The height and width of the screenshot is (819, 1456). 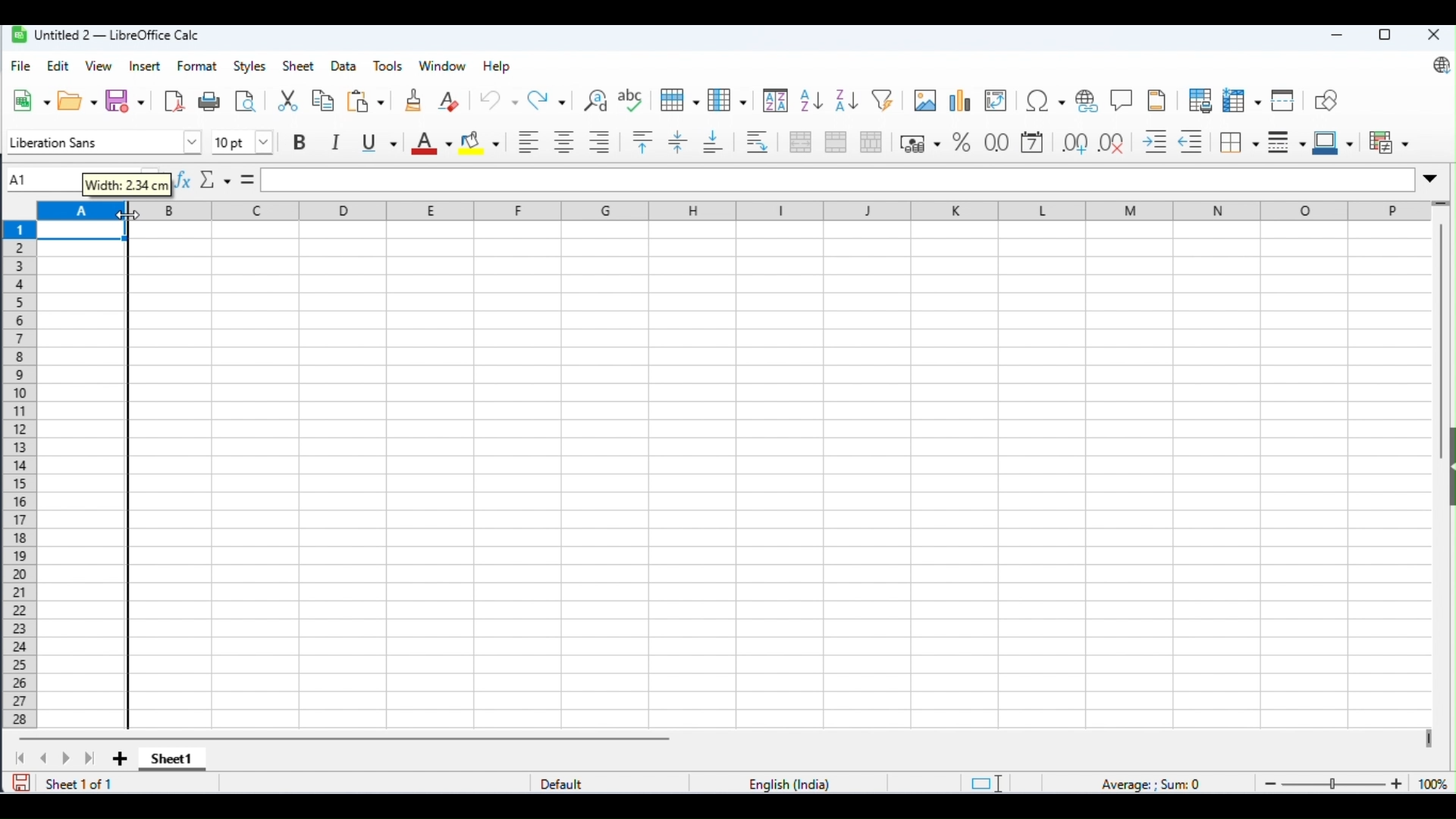 What do you see at coordinates (1352, 782) in the screenshot?
I see `zoom` at bounding box center [1352, 782].